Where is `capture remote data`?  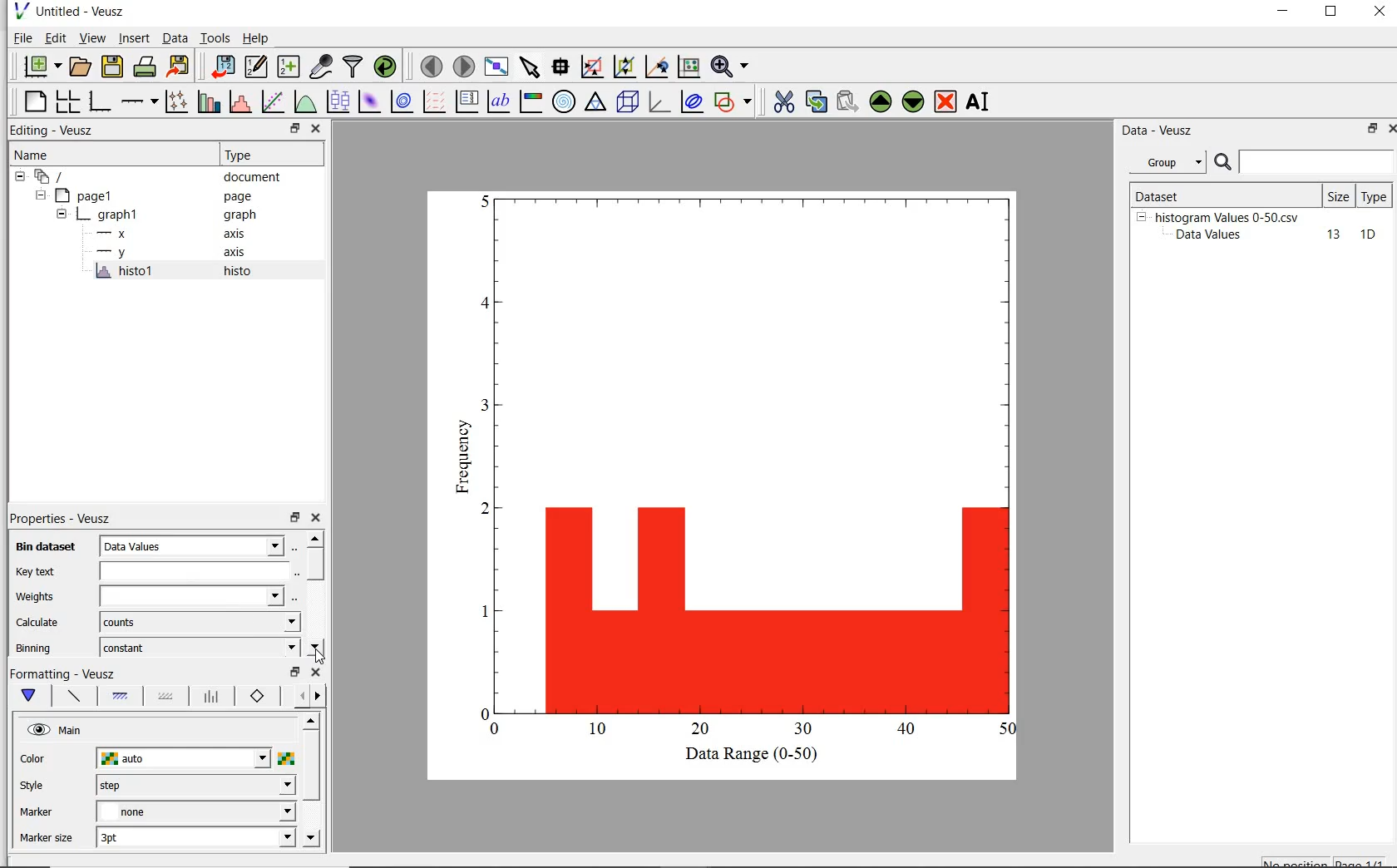 capture remote data is located at coordinates (321, 67).